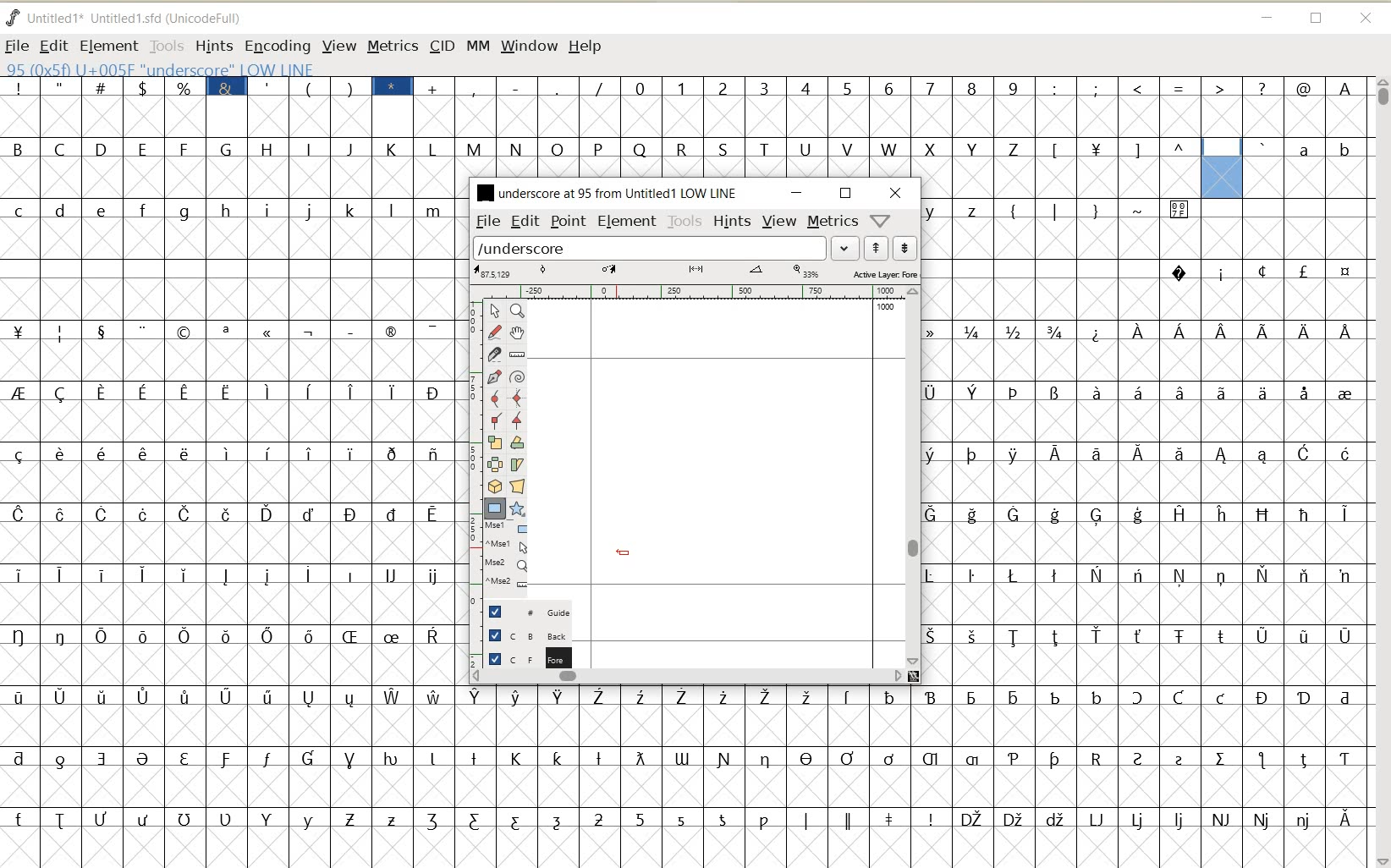  I want to click on pointer, so click(493, 311).